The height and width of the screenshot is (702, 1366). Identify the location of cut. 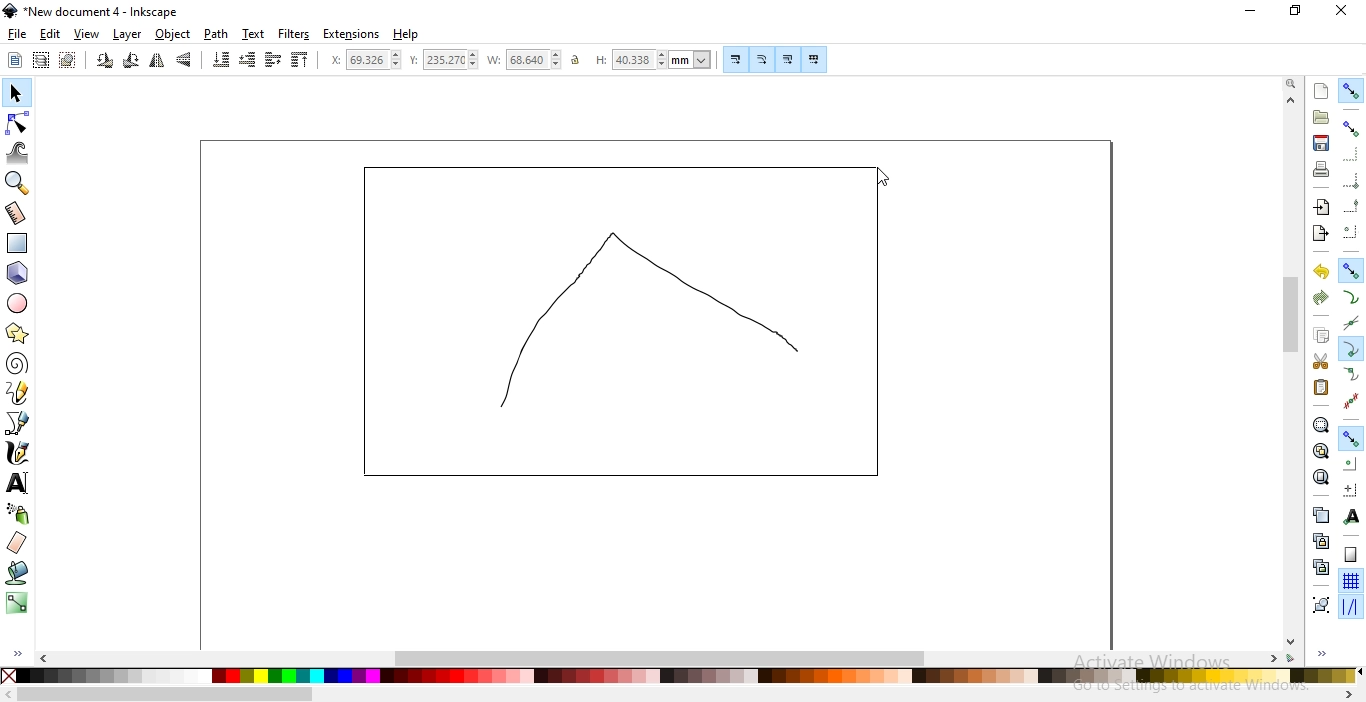
(1320, 362).